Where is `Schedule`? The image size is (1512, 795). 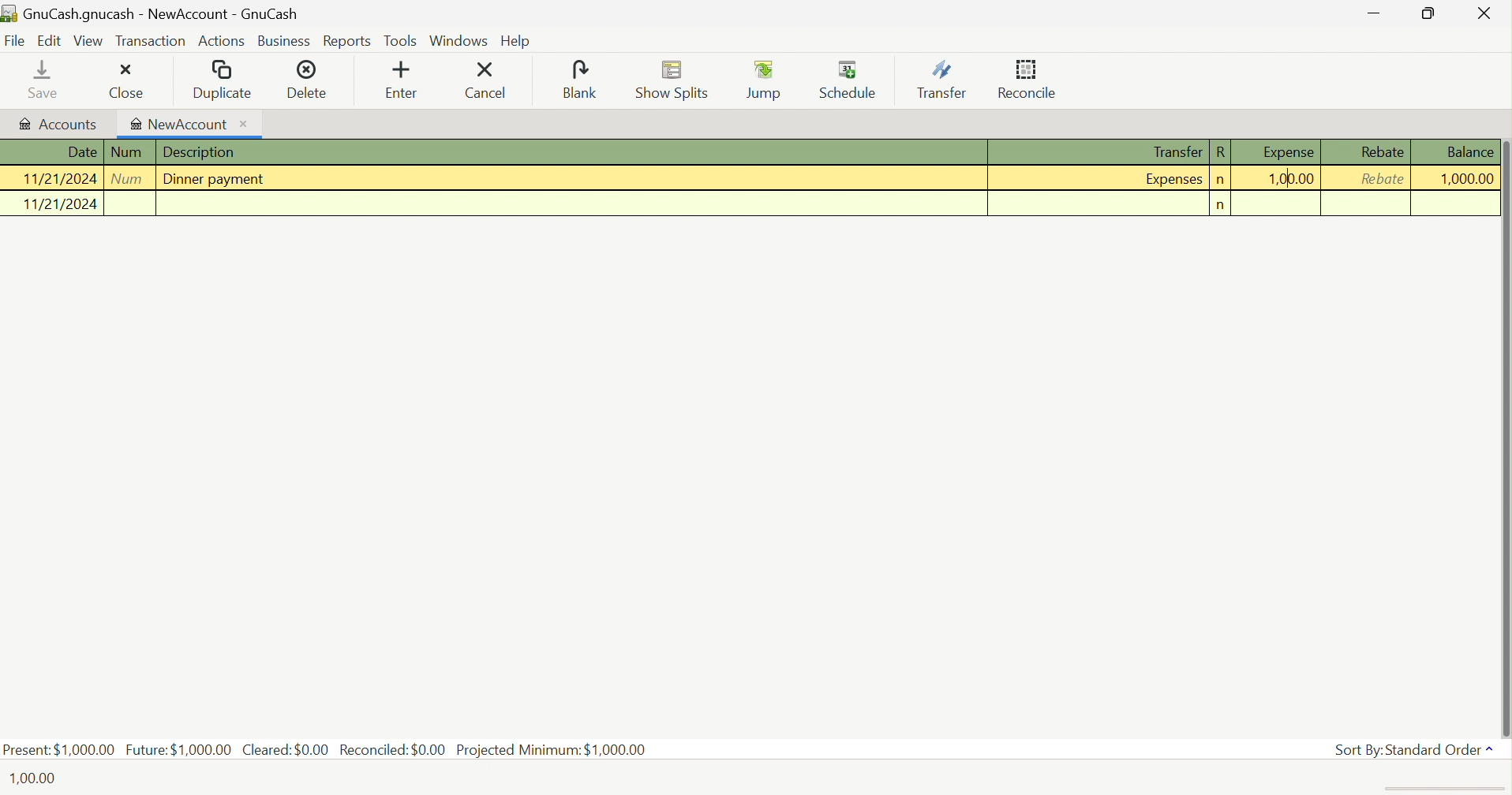 Schedule is located at coordinates (849, 77).